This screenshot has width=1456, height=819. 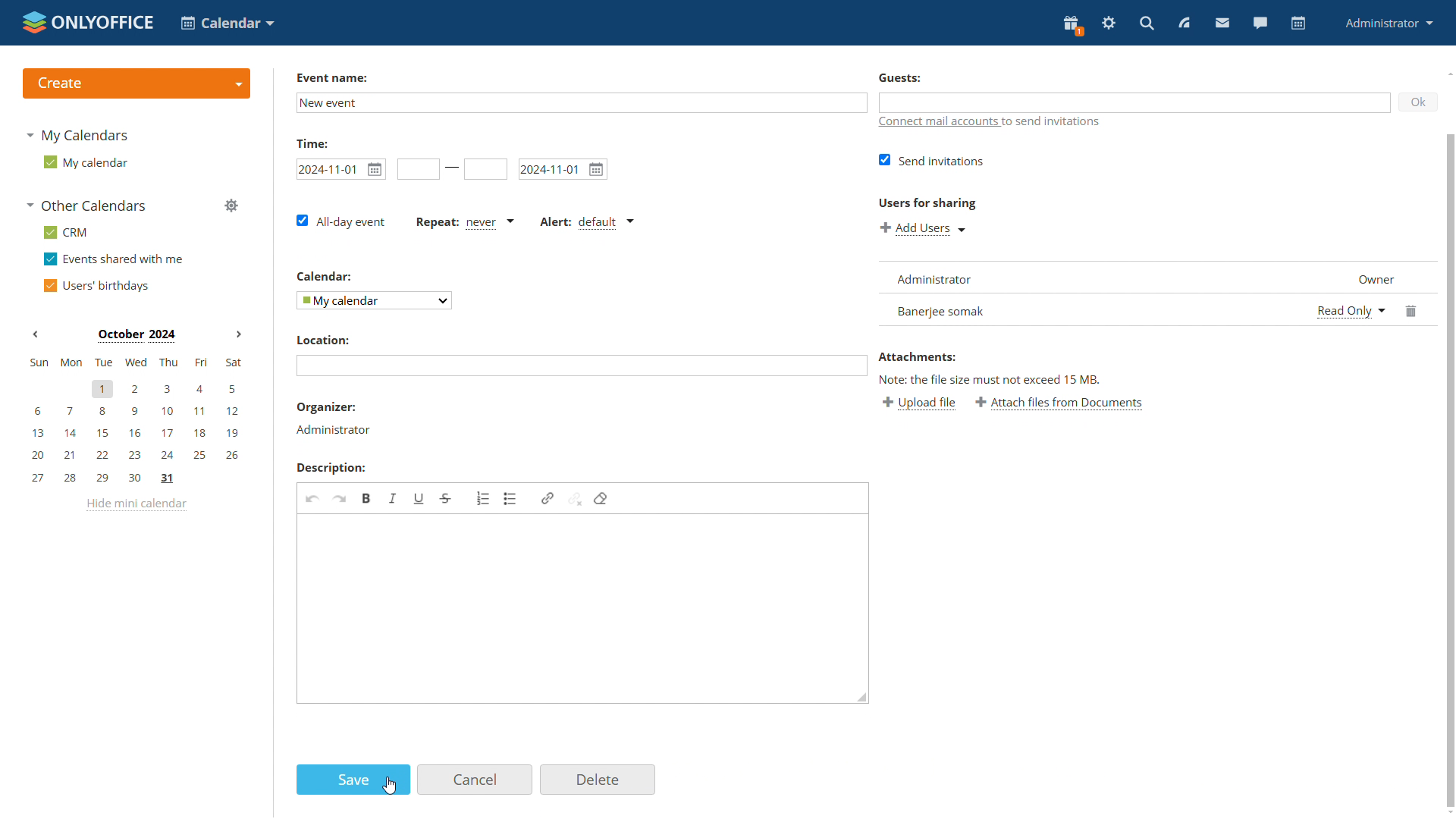 I want to click on upload file, so click(x=919, y=402).